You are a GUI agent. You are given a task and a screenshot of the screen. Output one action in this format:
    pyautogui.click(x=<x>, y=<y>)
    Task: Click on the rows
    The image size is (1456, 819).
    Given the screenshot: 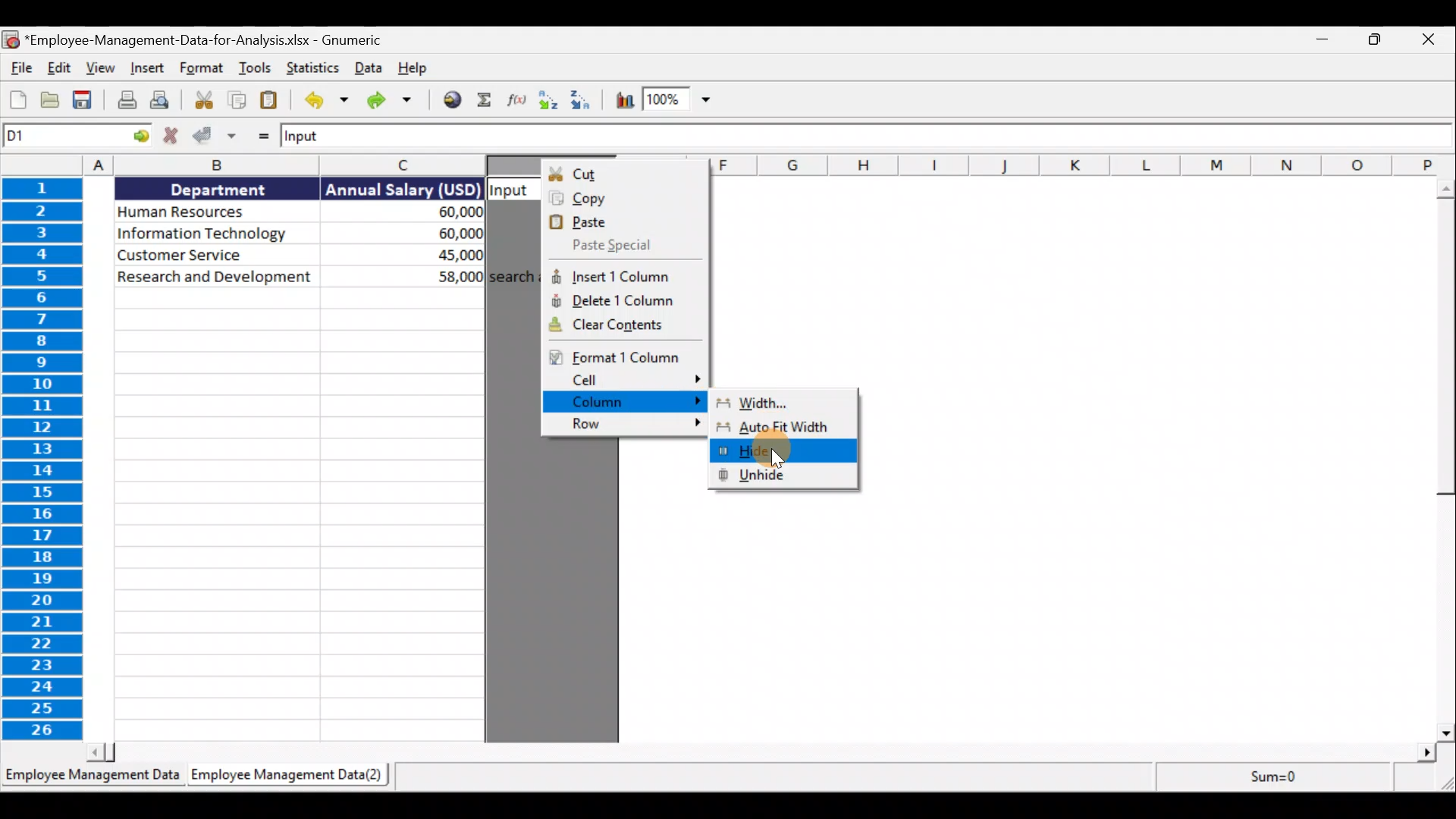 What is the action you would take?
    pyautogui.click(x=39, y=458)
    